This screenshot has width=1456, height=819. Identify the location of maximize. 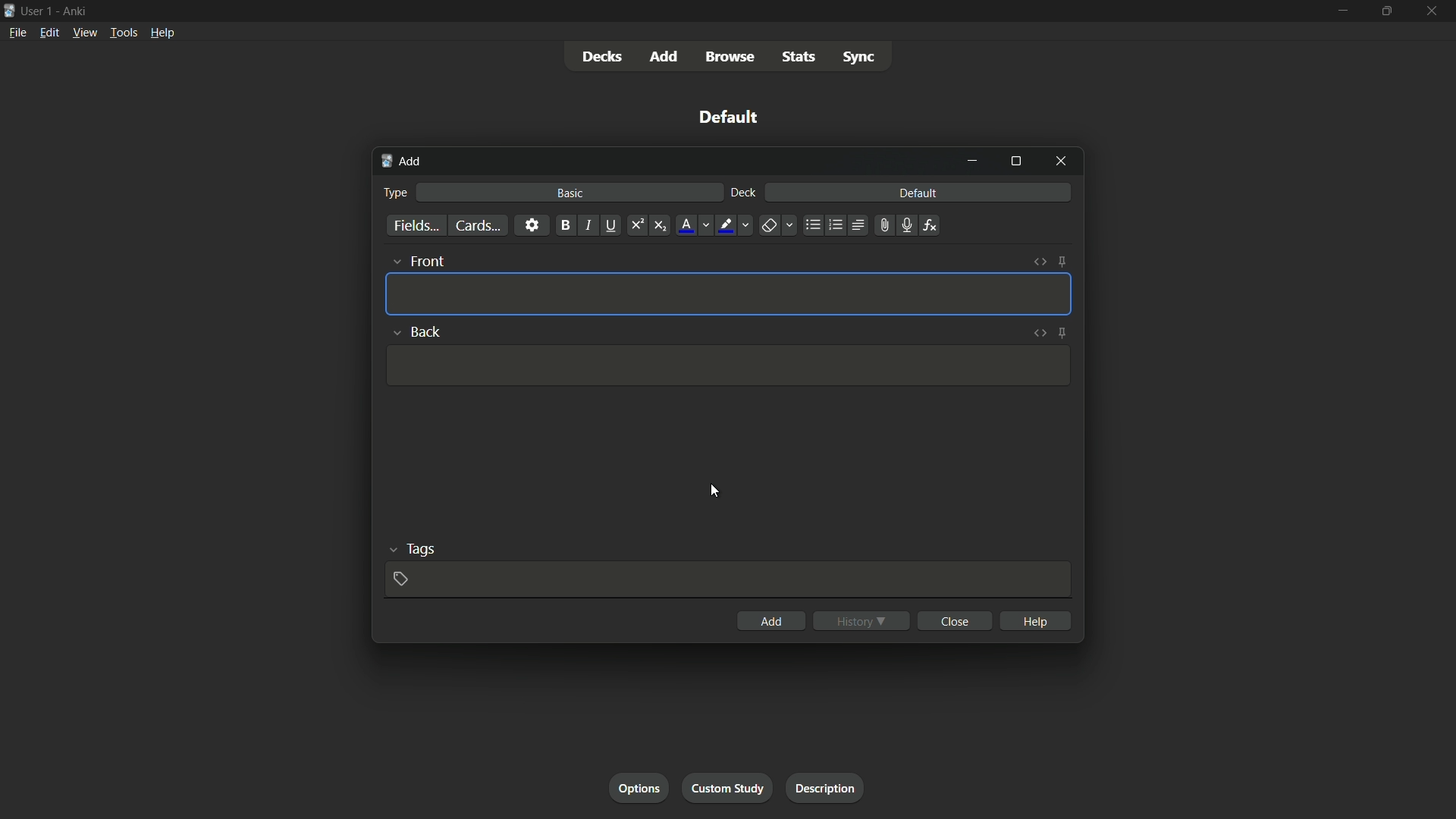
(1385, 10).